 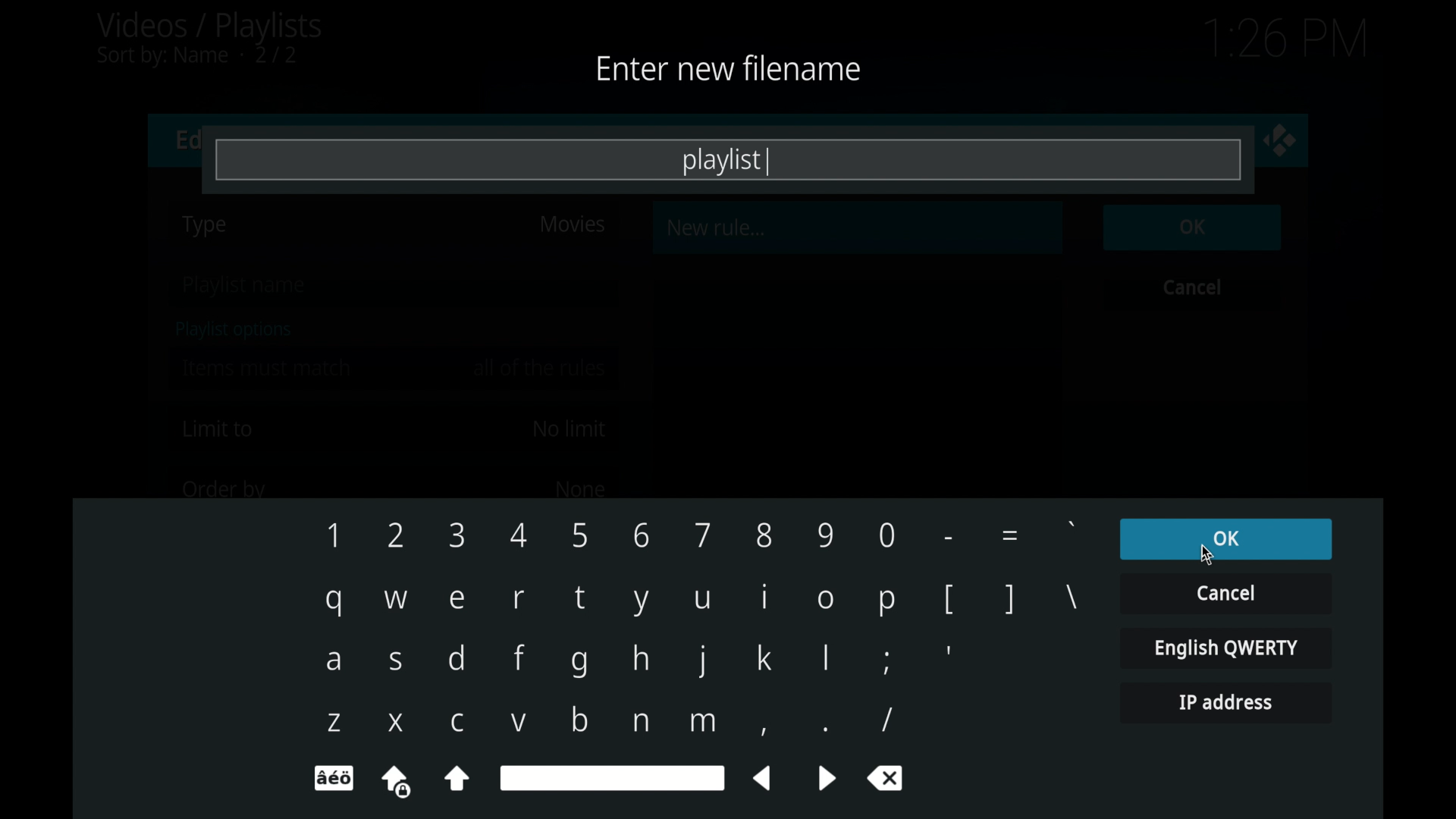 I want to click on ok, so click(x=1193, y=227).